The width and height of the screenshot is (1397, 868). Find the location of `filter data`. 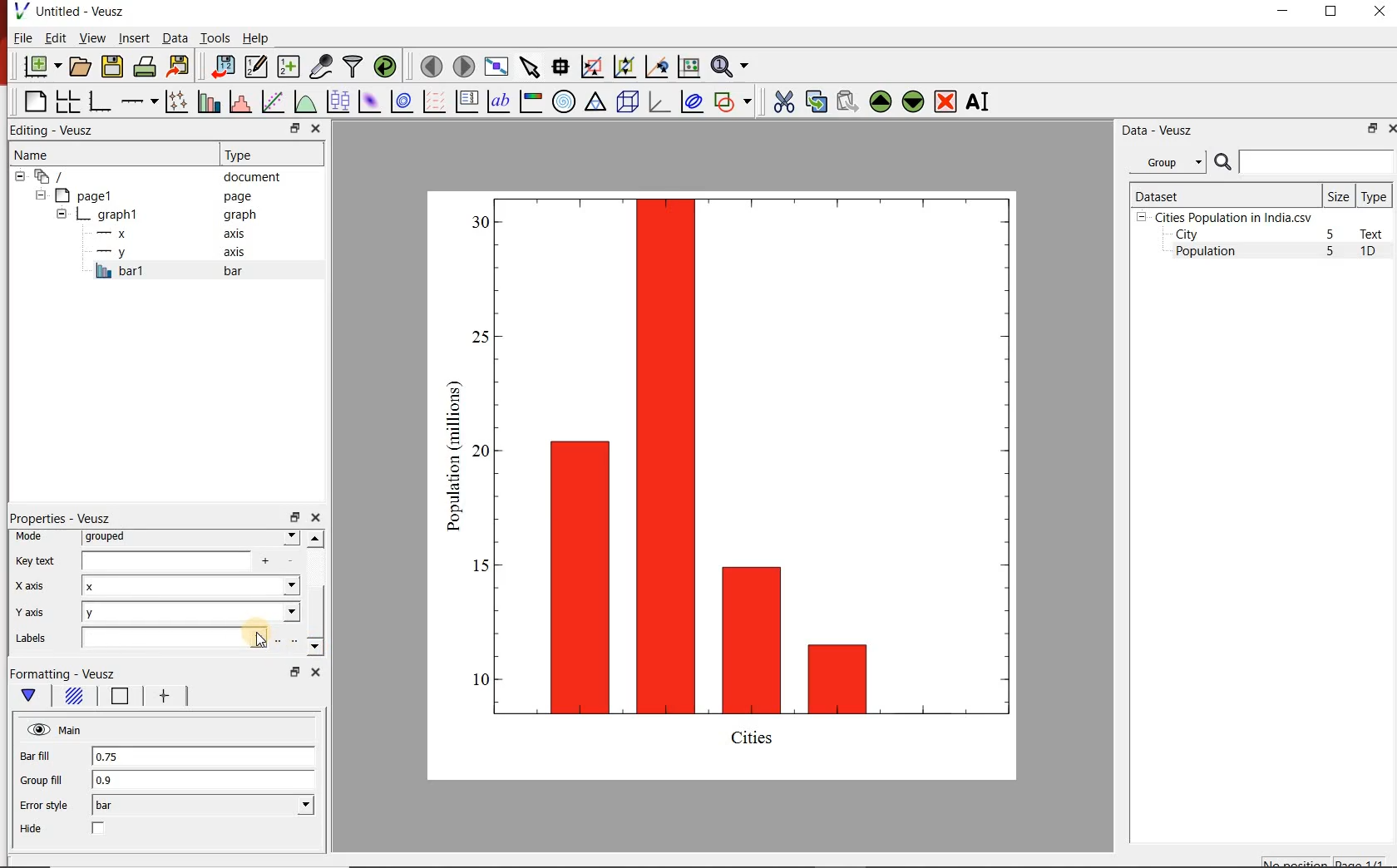

filter data is located at coordinates (353, 67).